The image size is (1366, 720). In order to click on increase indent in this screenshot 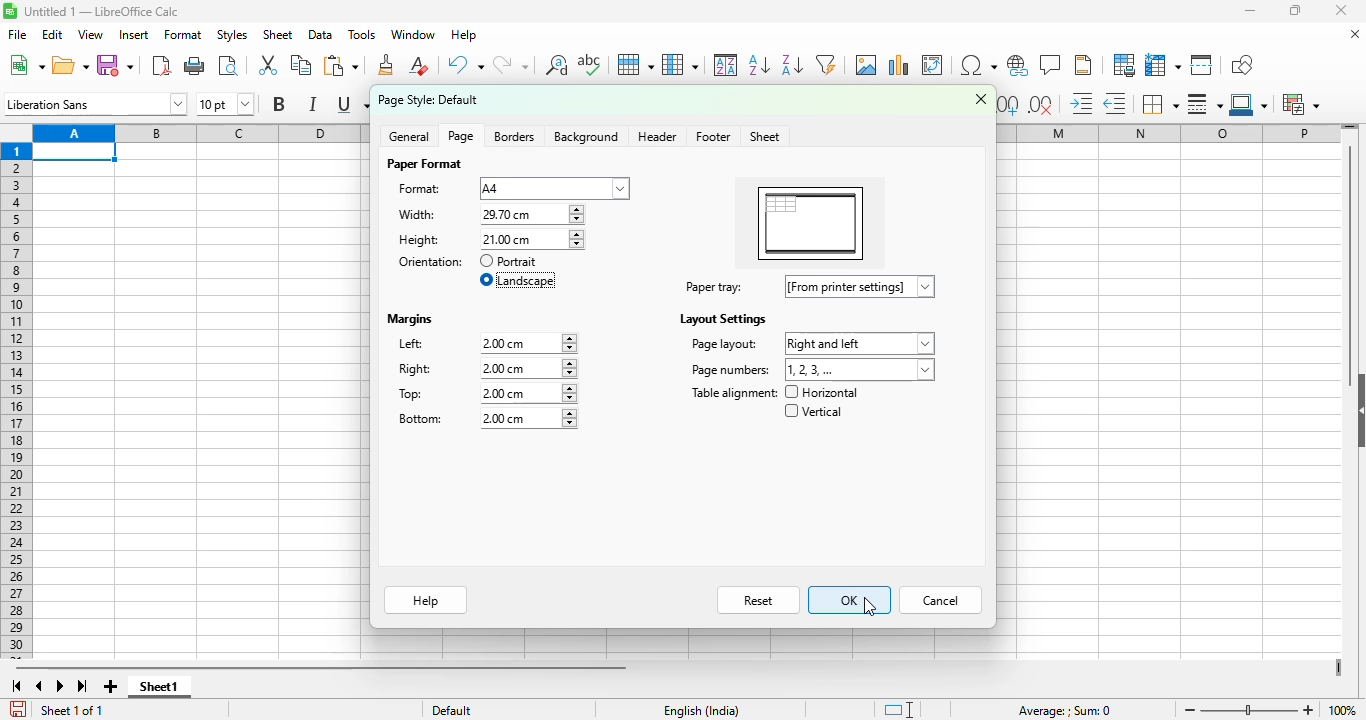, I will do `click(1081, 103)`.